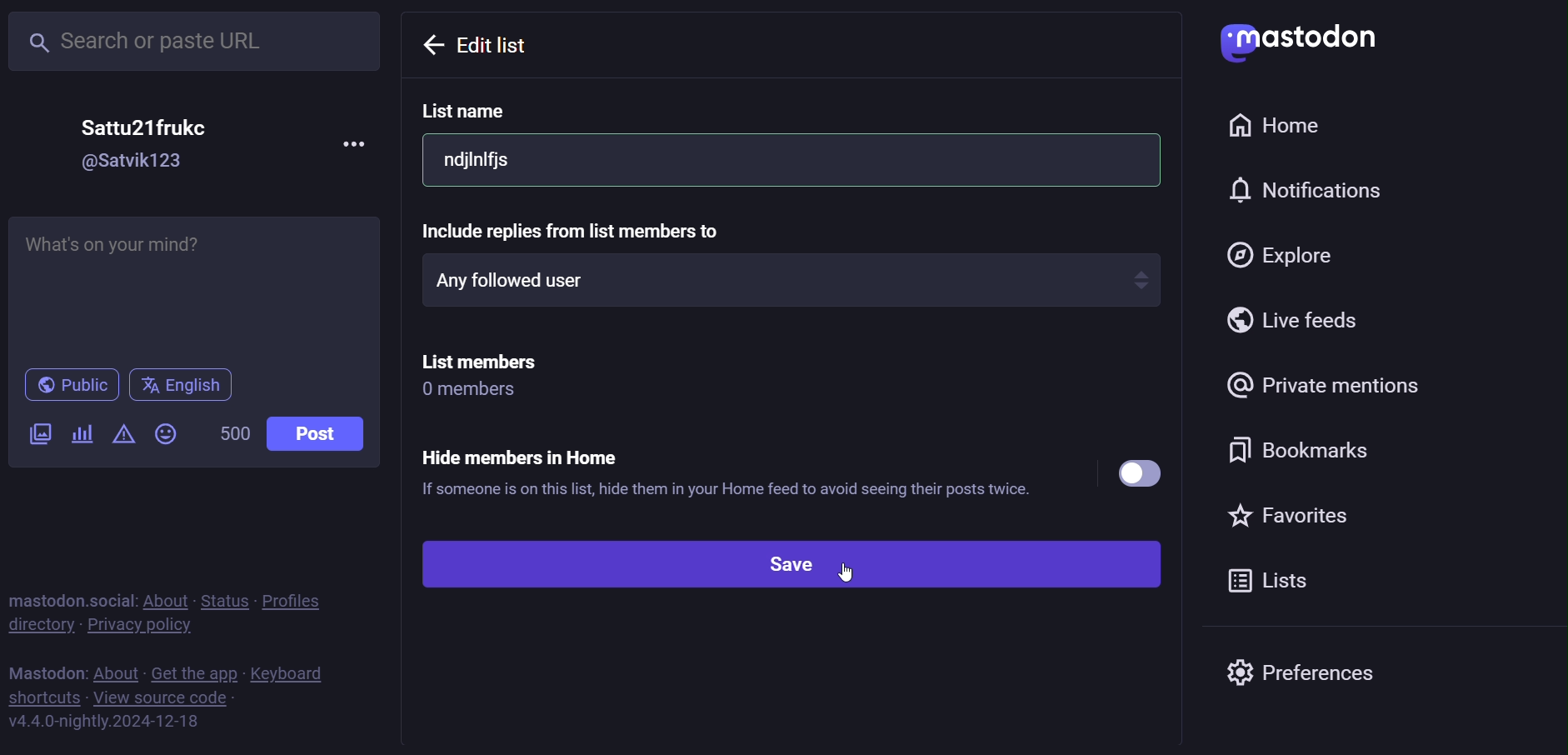 This screenshot has width=1568, height=755. Describe the element at coordinates (299, 599) in the screenshot. I see `profiles` at that location.